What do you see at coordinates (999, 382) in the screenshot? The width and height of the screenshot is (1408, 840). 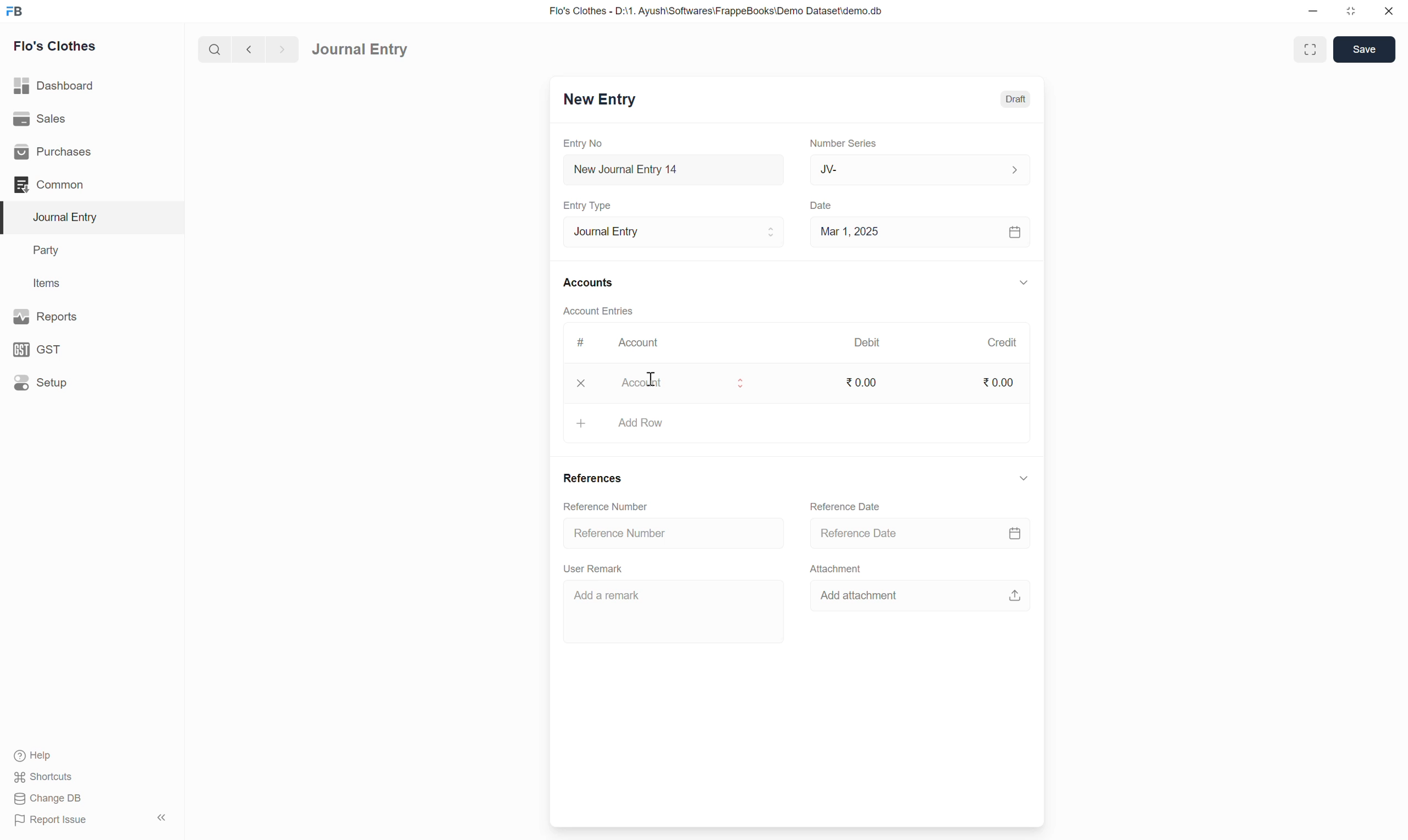 I see `0.00` at bounding box center [999, 382].